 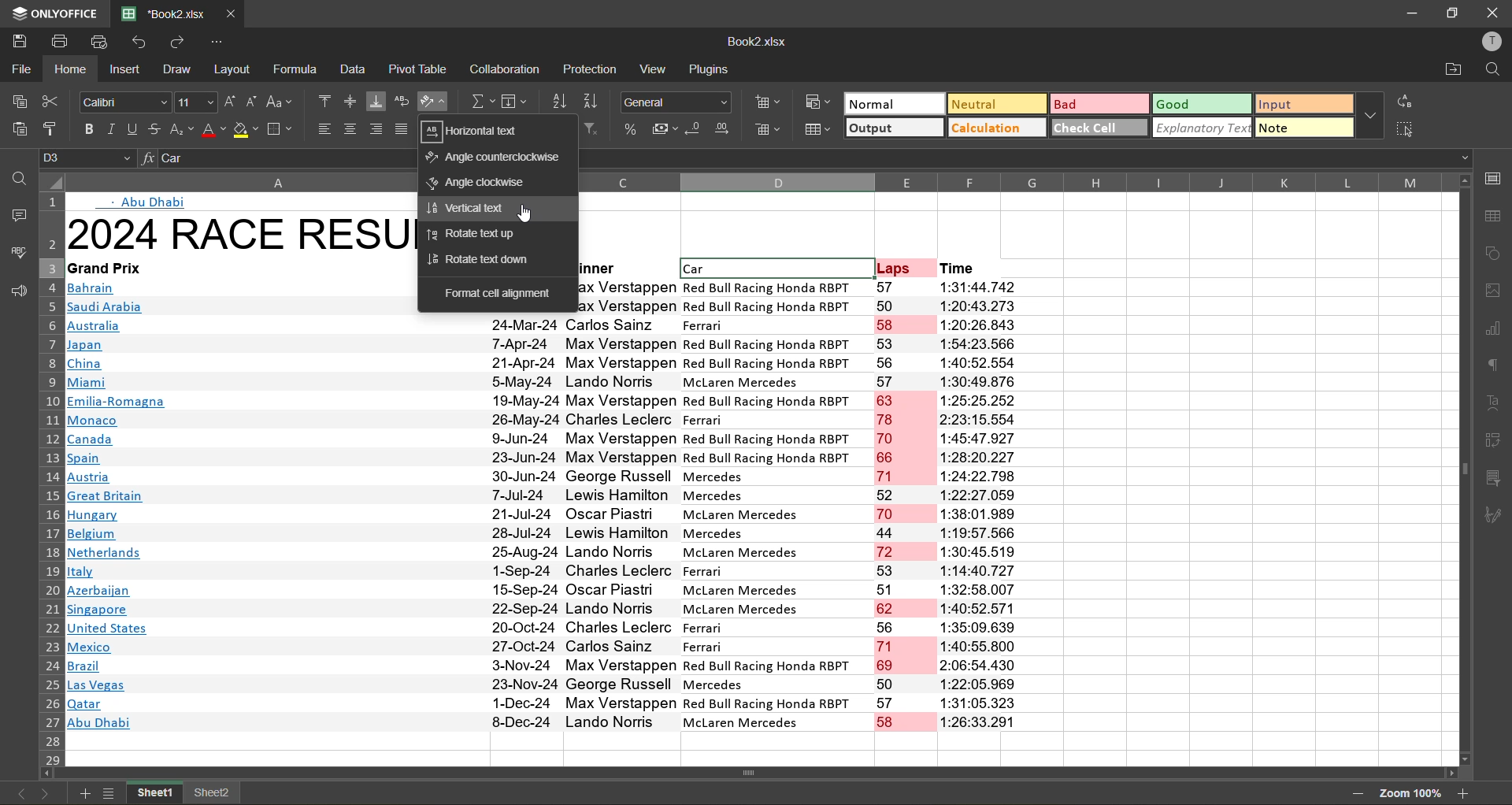 I want to click on align middle, so click(x=351, y=102).